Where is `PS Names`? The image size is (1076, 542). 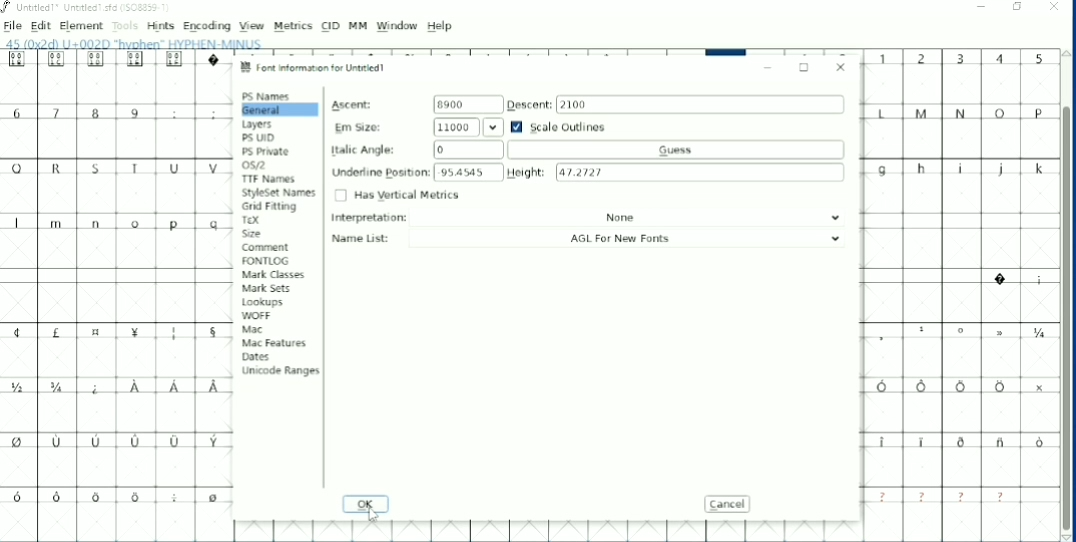 PS Names is located at coordinates (267, 96).